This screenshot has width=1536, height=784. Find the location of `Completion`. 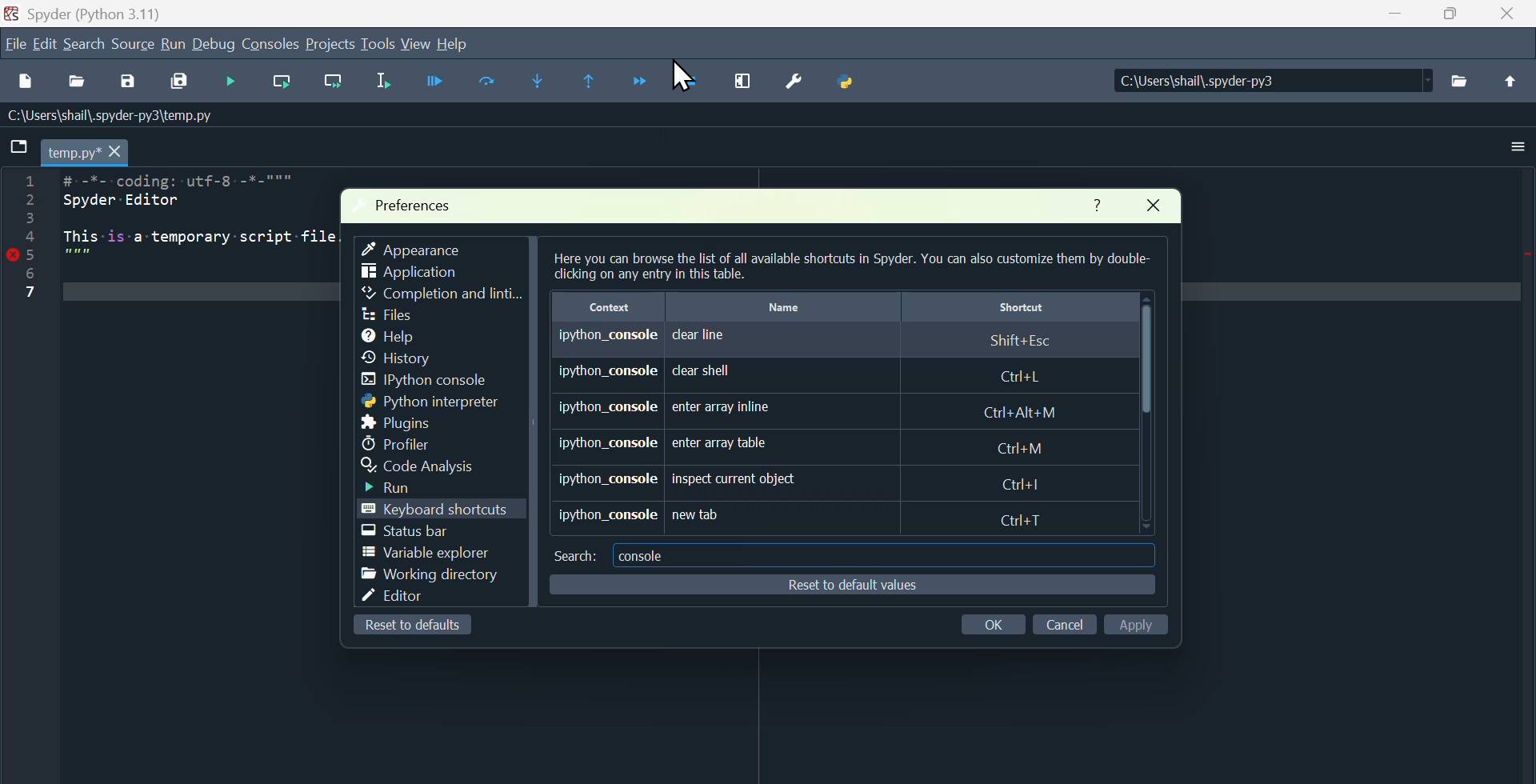

Completion is located at coordinates (442, 294).